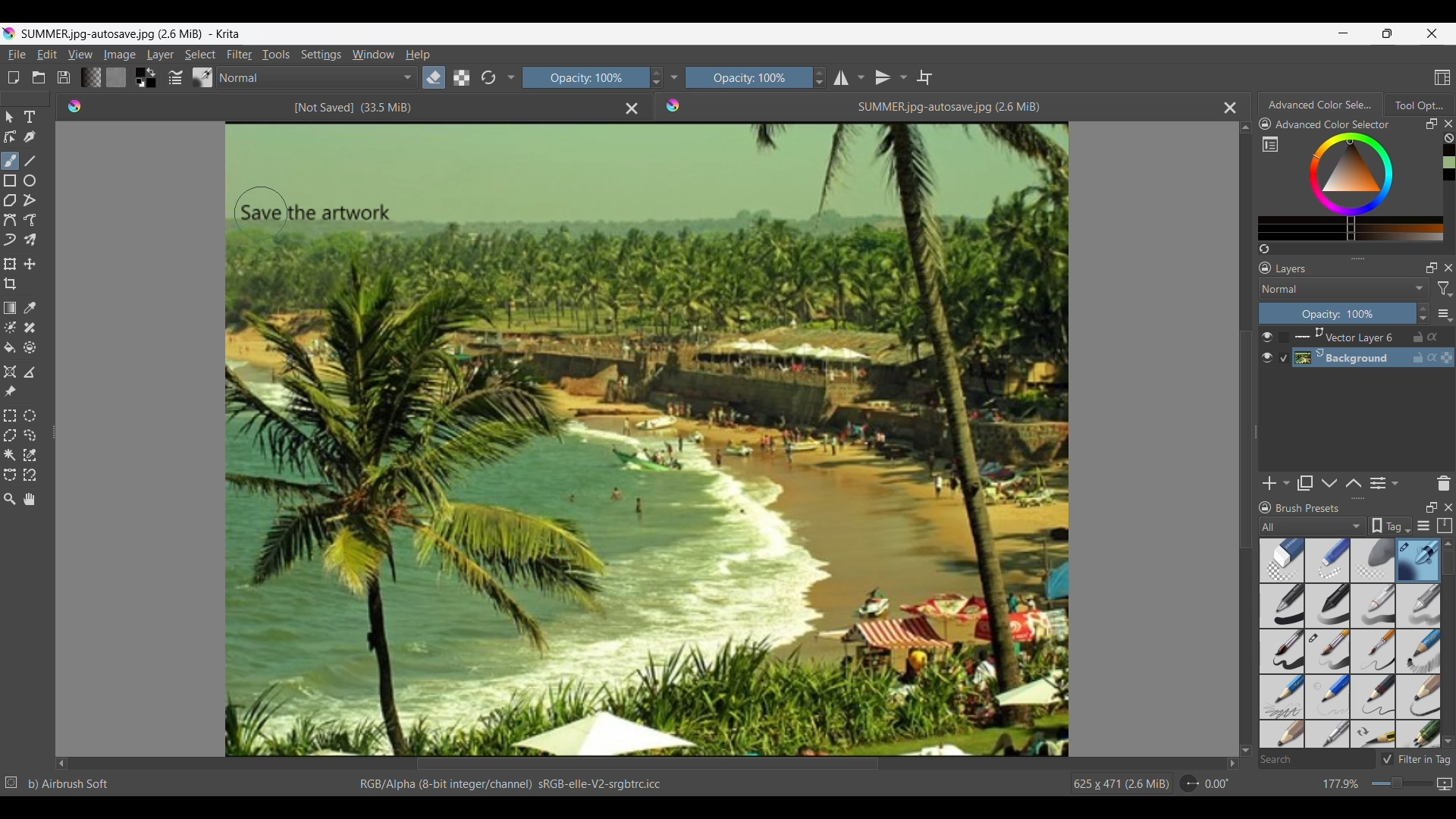 The height and width of the screenshot is (819, 1456). I want to click on Float layers panel, so click(1428, 268).